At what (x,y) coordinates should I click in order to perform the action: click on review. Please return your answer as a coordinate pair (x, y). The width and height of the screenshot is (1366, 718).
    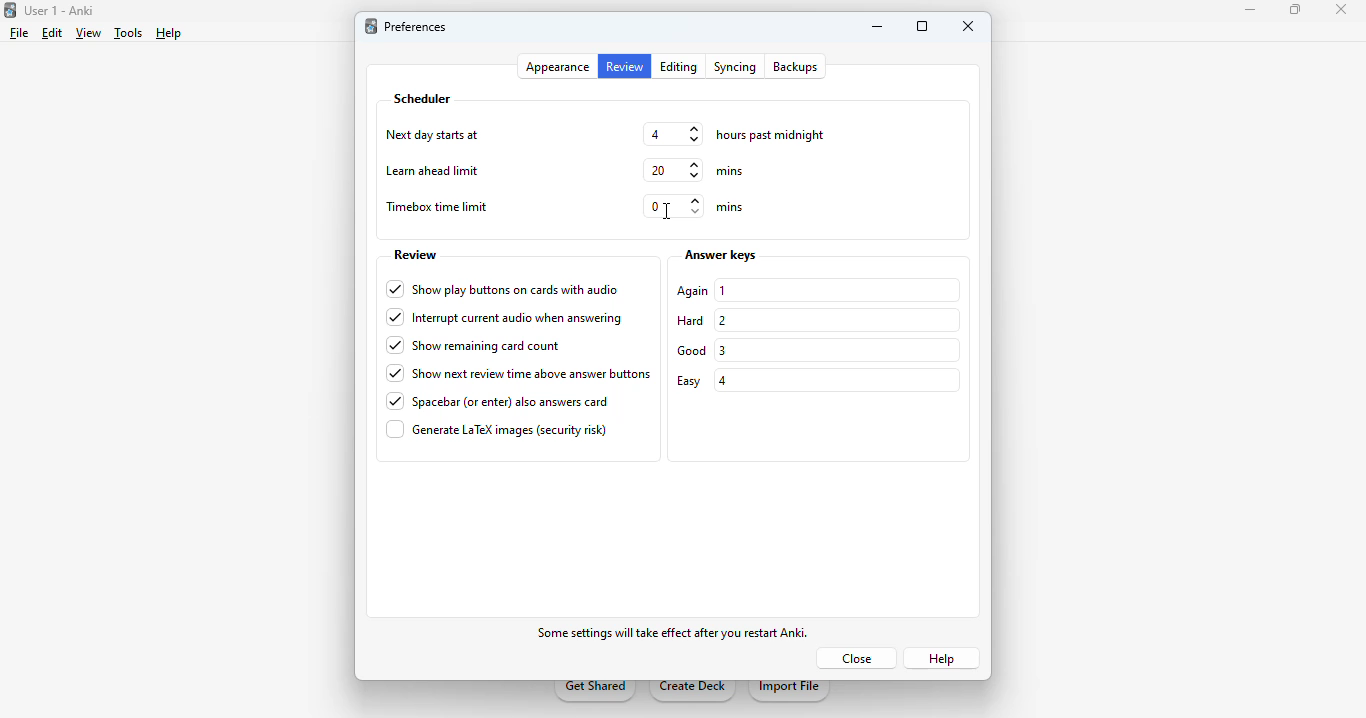
    Looking at the image, I should click on (415, 256).